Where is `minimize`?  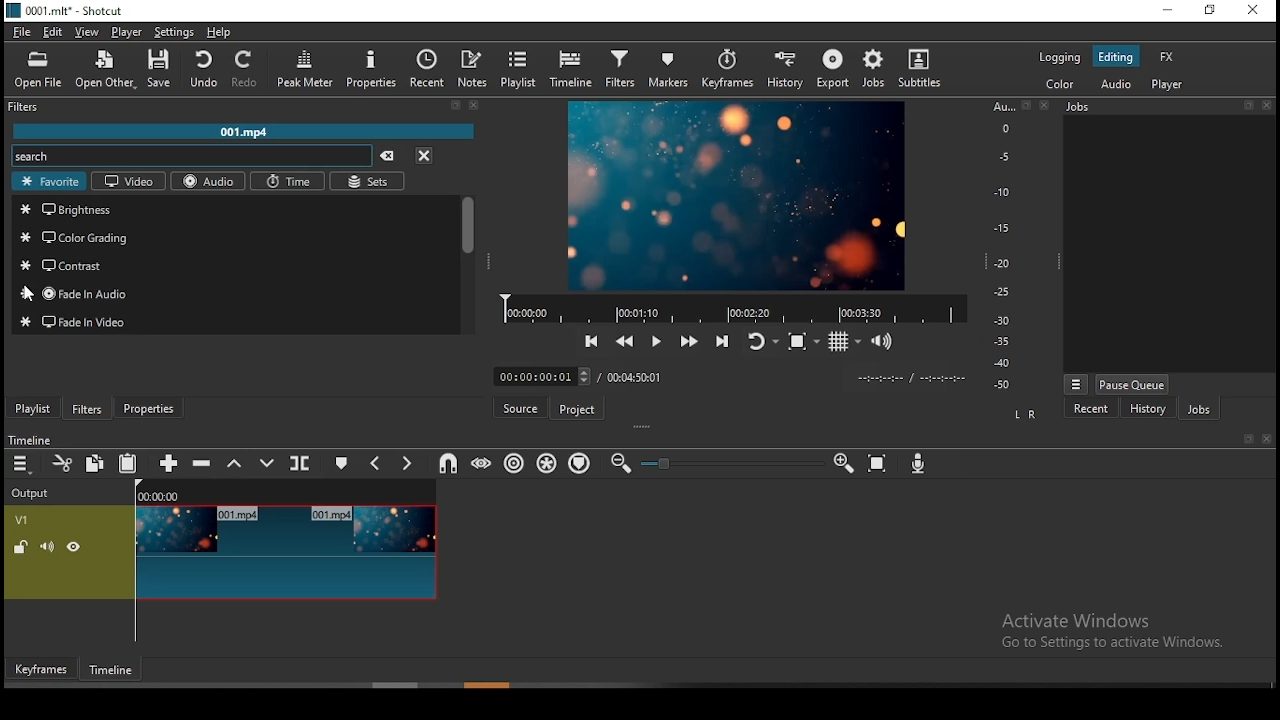
minimize is located at coordinates (1171, 11).